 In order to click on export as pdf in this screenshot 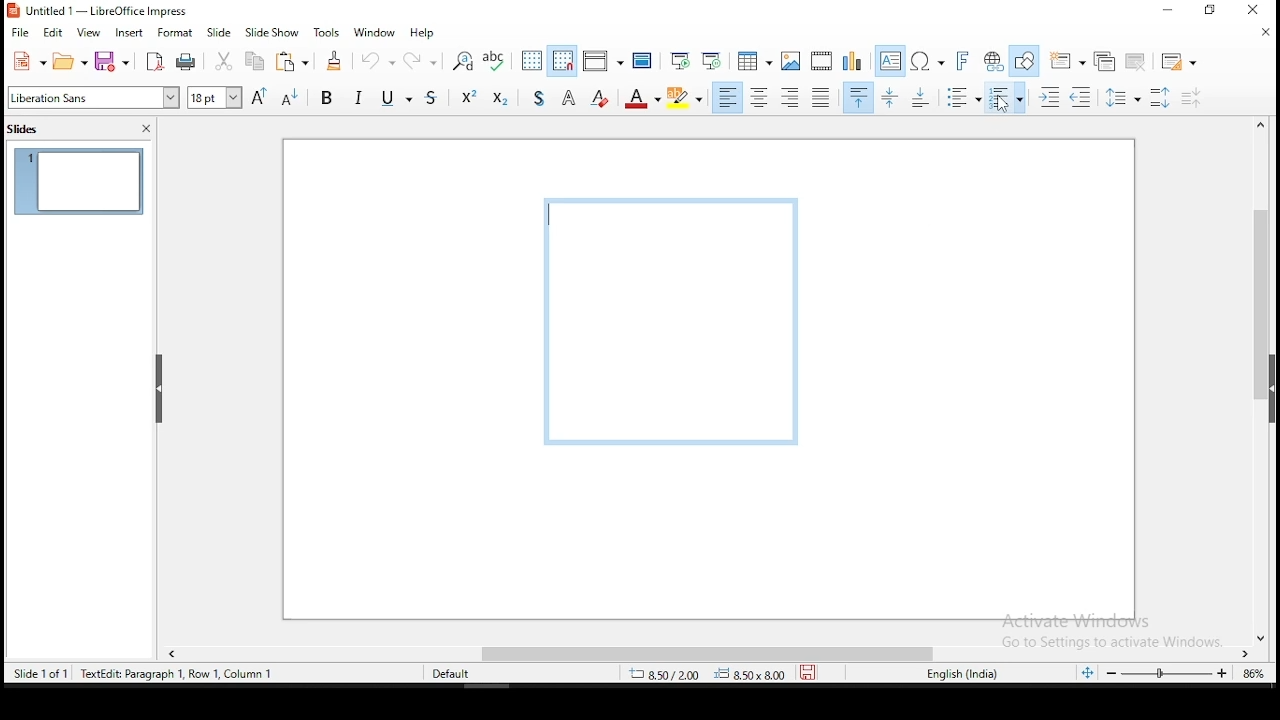, I will do `click(156, 62)`.